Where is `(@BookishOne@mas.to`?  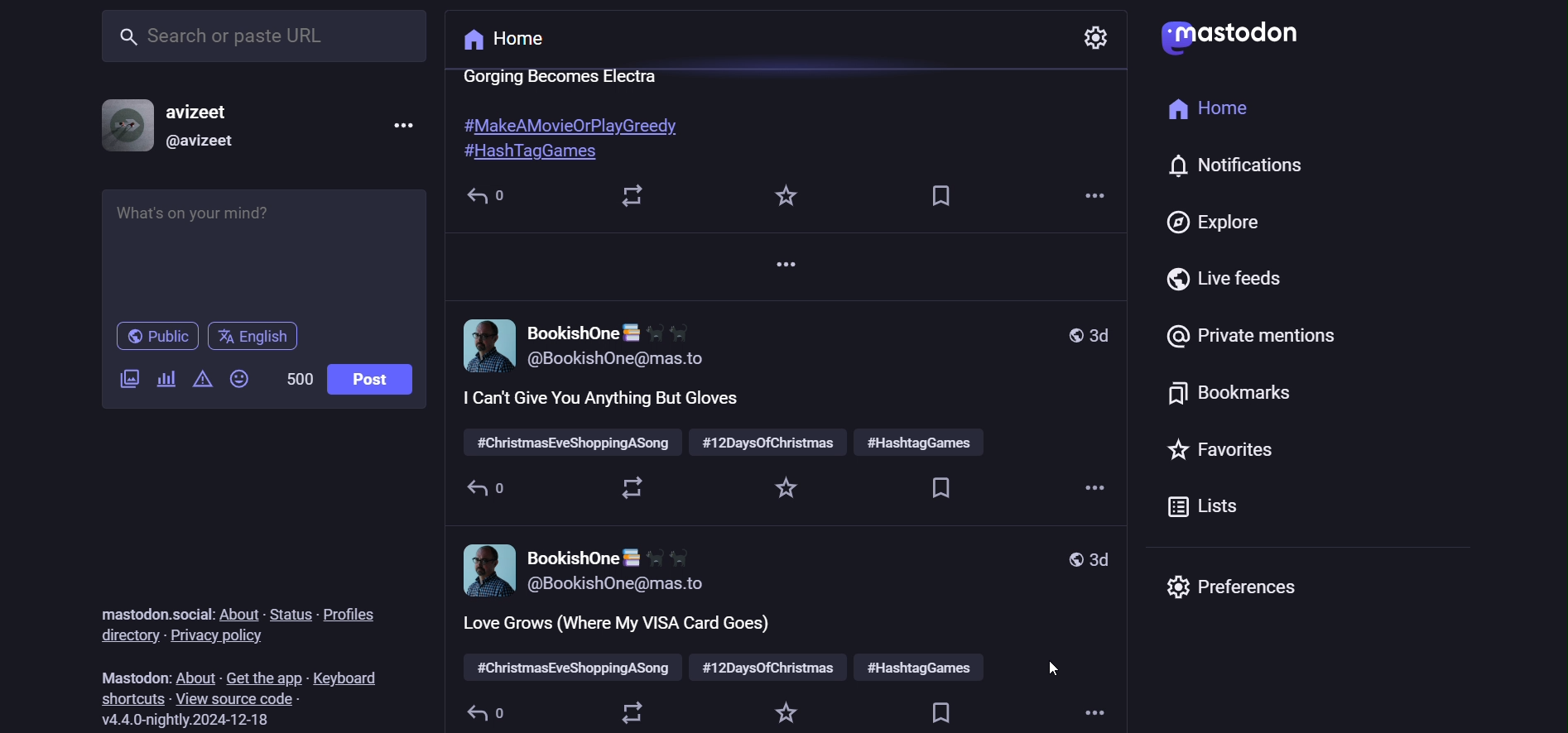 (@BookishOne@mas.to is located at coordinates (618, 584).